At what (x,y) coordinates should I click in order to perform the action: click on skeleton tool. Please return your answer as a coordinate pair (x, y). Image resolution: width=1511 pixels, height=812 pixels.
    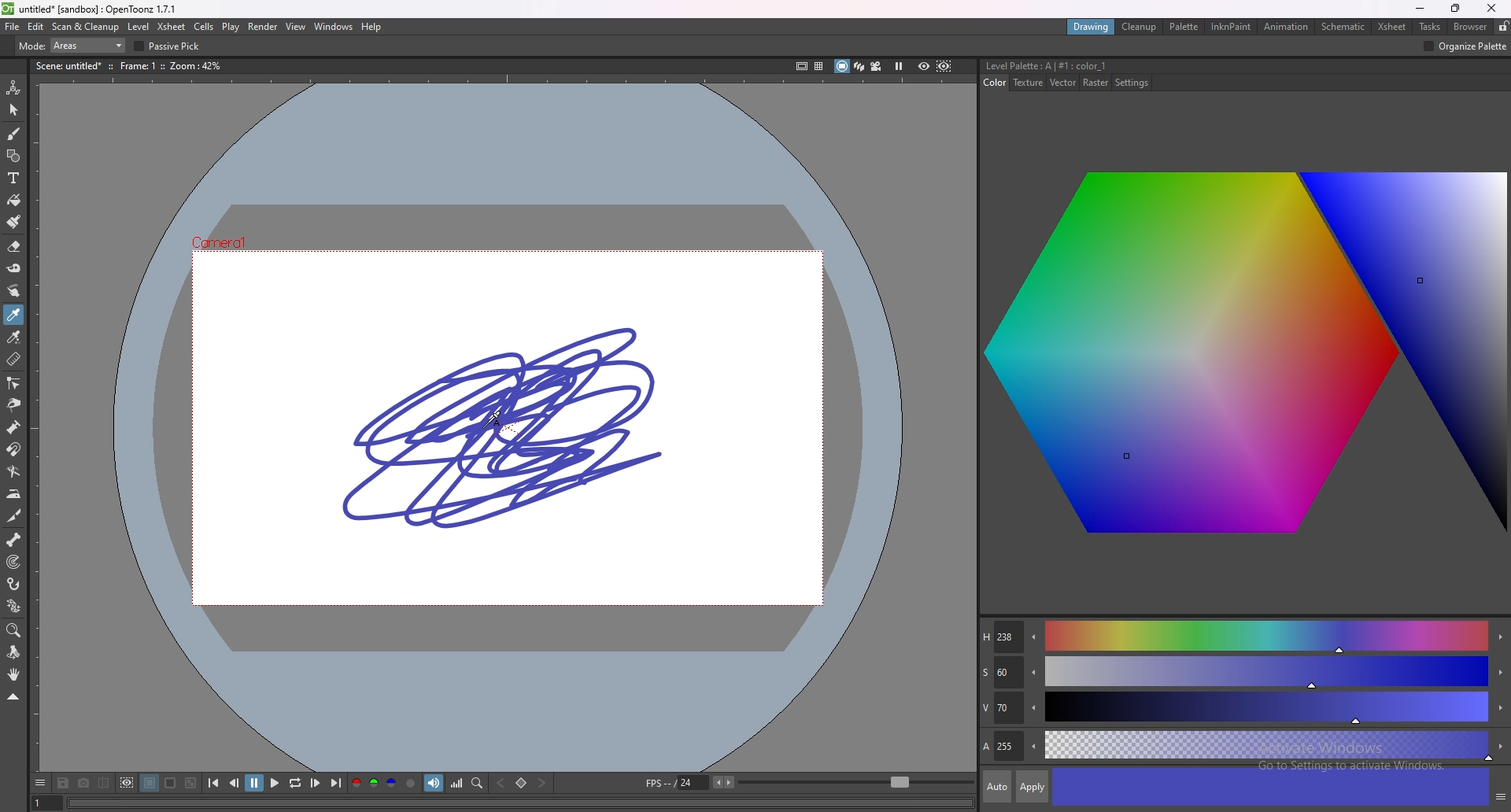
    Looking at the image, I should click on (14, 539).